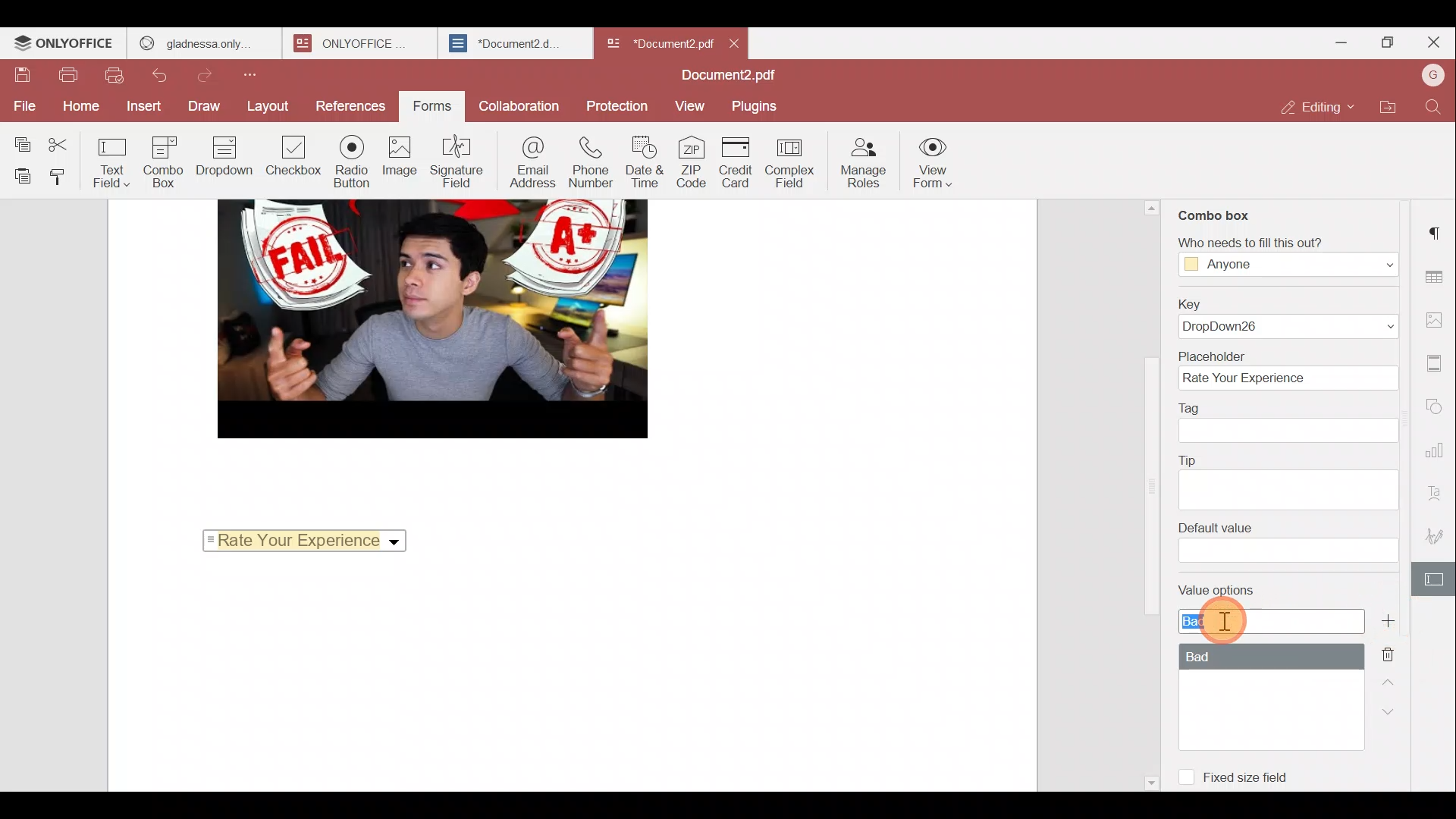 The height and width of the screenshot is (819, 1456). I want to click on Signature field, so click(457, 161).